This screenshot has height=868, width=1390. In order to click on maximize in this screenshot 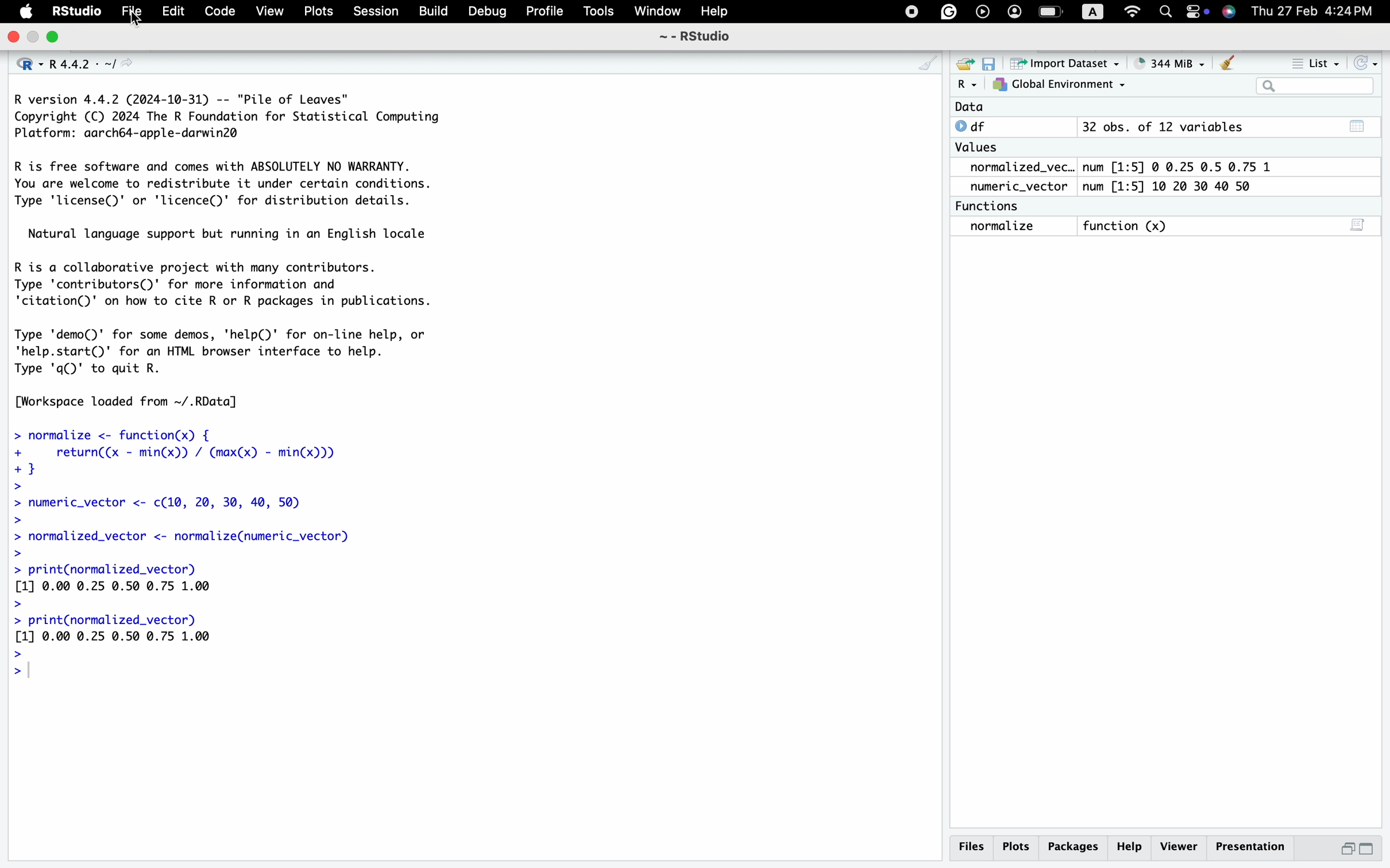, I will do `click(33, 37)`.